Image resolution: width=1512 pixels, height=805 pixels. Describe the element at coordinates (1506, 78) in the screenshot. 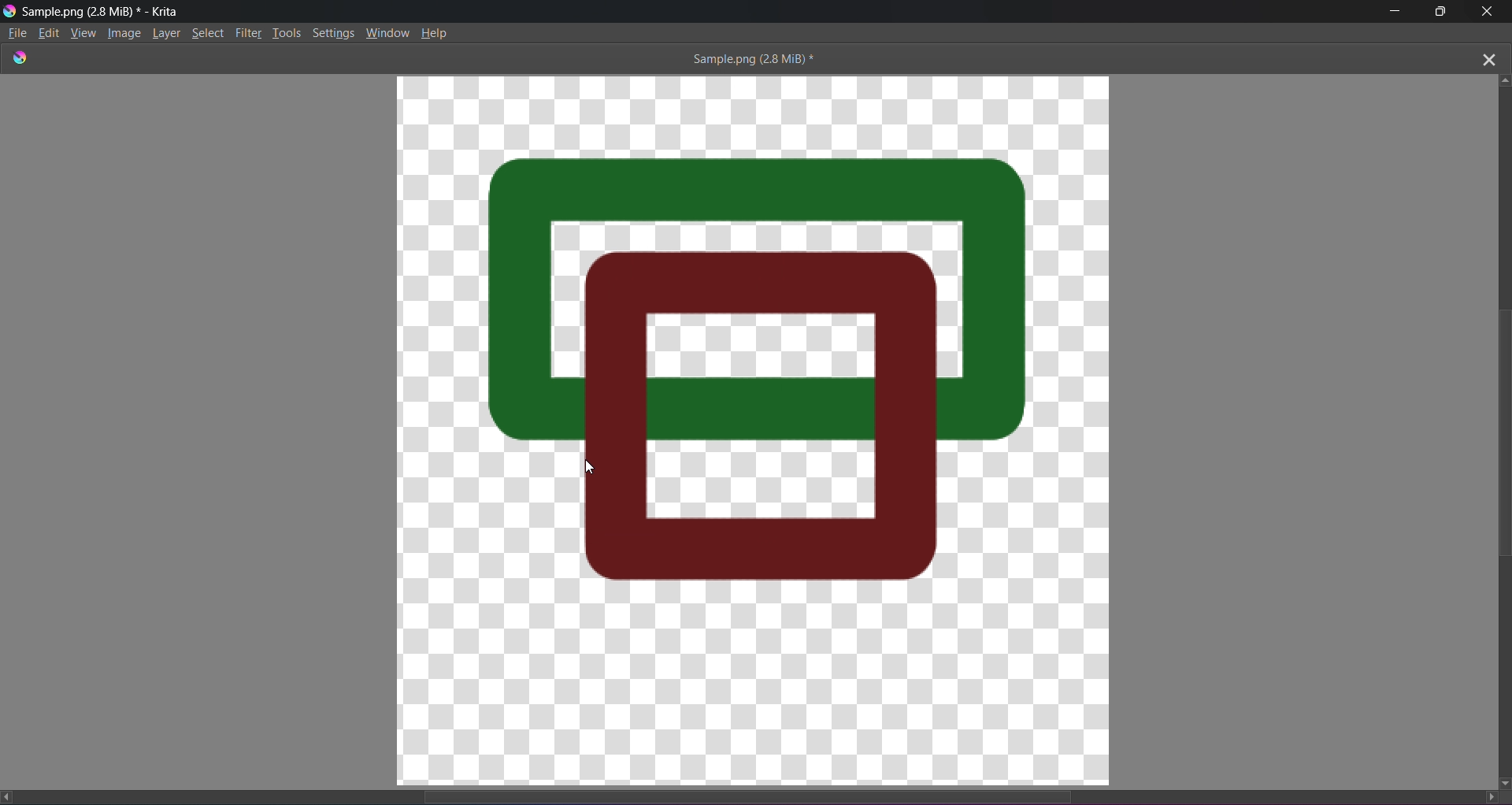

I see `Scroll up` at that location.